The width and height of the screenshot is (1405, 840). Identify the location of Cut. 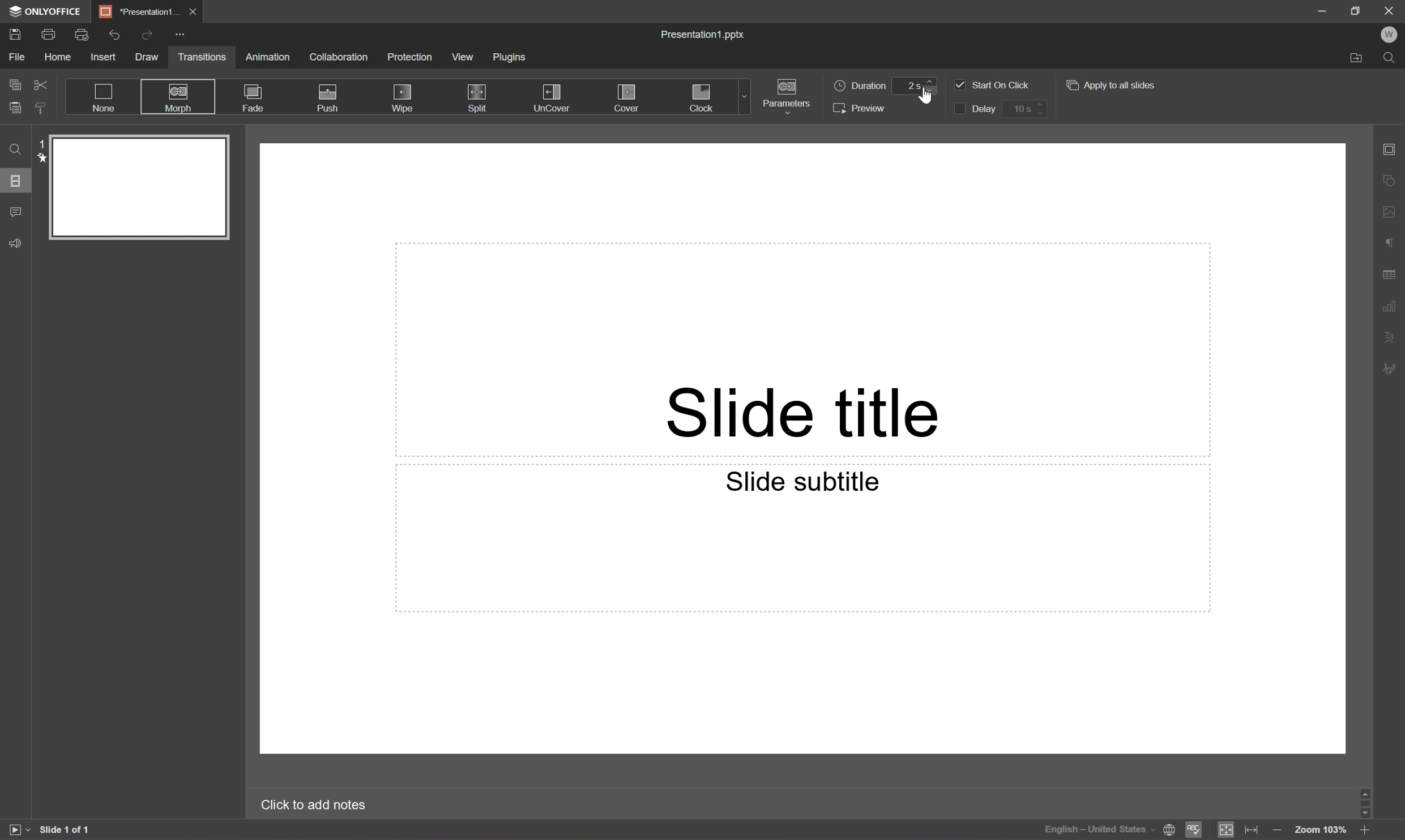
(40, 83).